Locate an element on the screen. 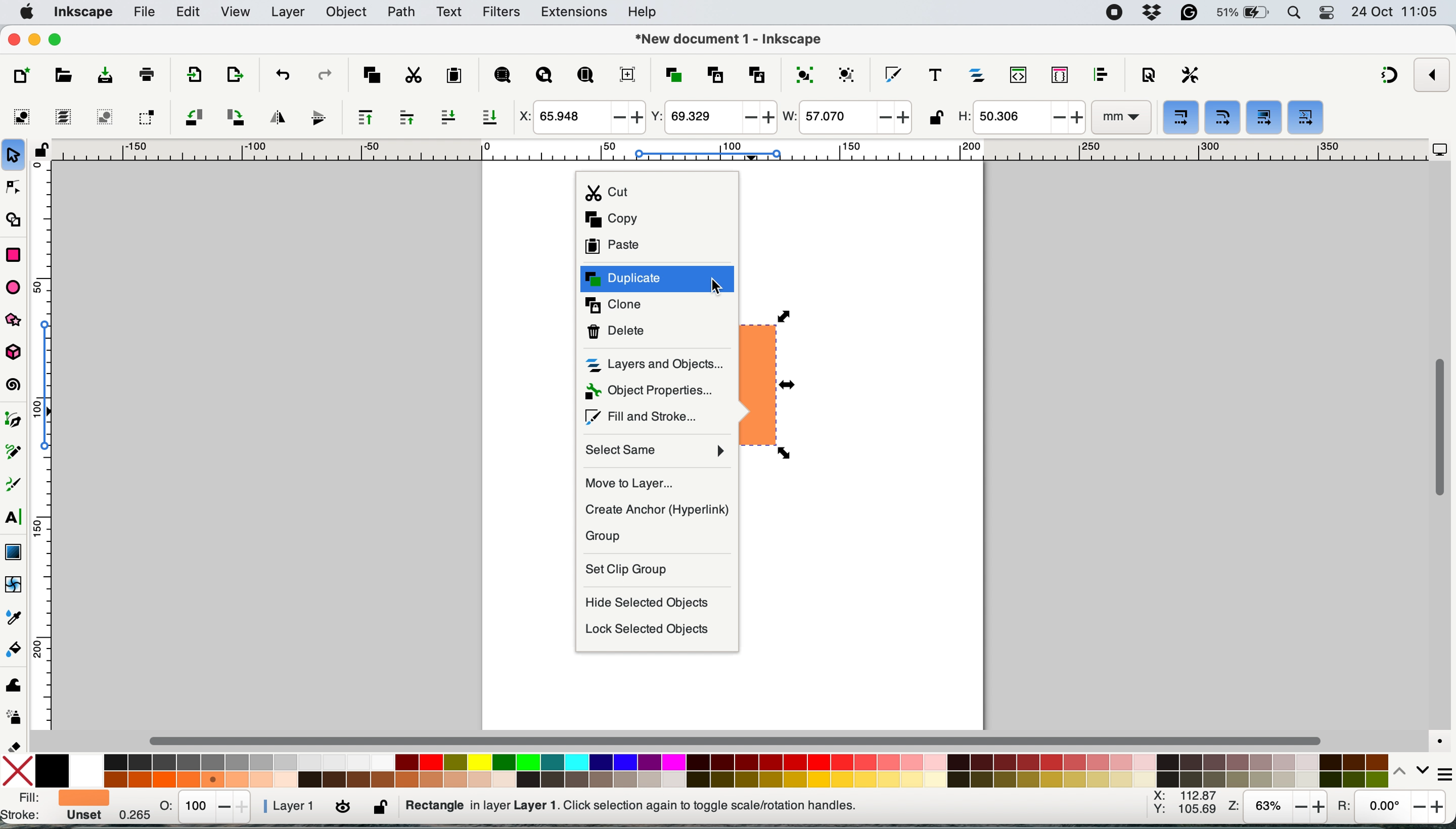 The image size is (1456, 829). y coordinate is located at coordinates (712, 117).